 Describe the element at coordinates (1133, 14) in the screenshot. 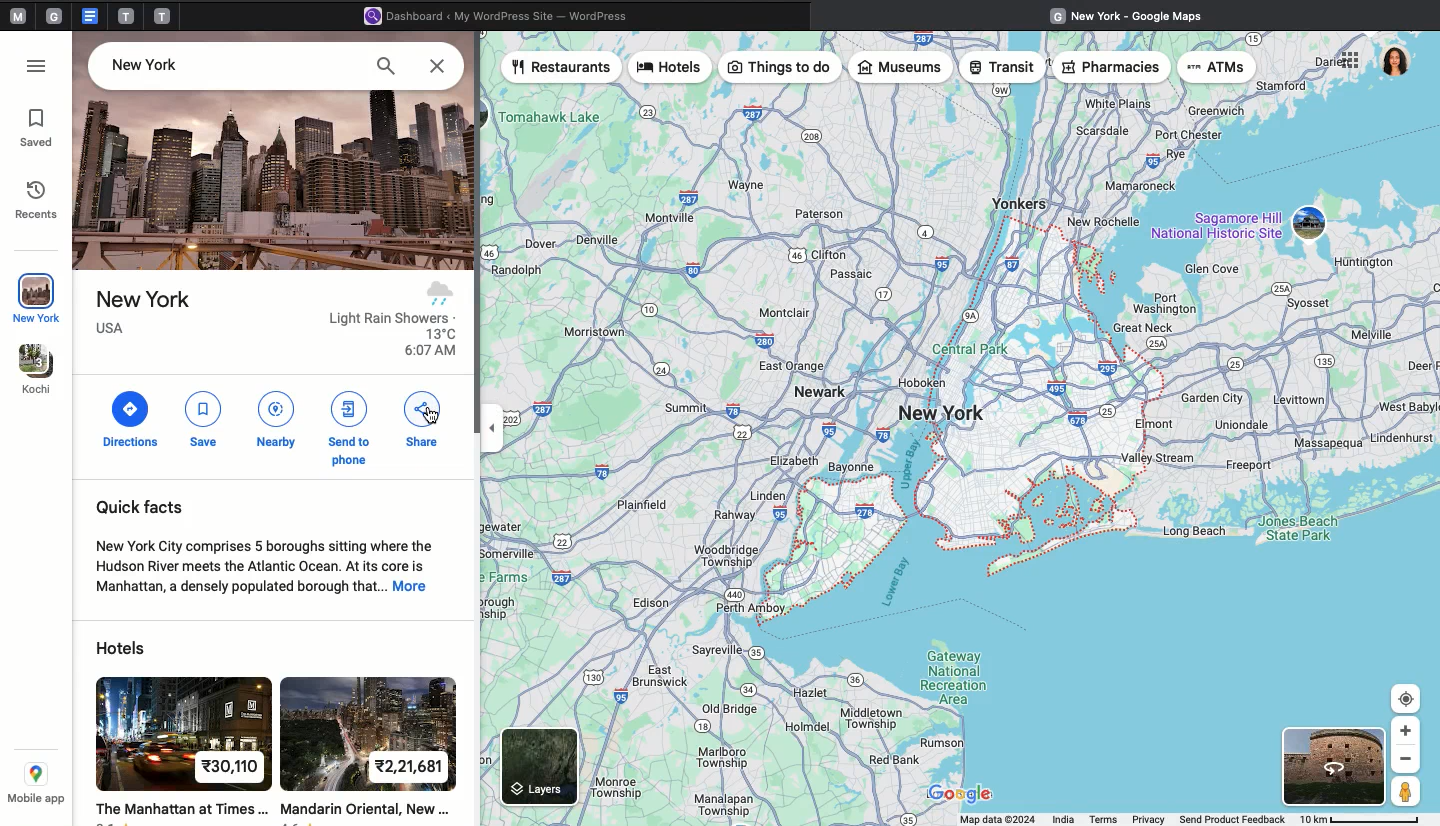

I see `Google maps` at that location.